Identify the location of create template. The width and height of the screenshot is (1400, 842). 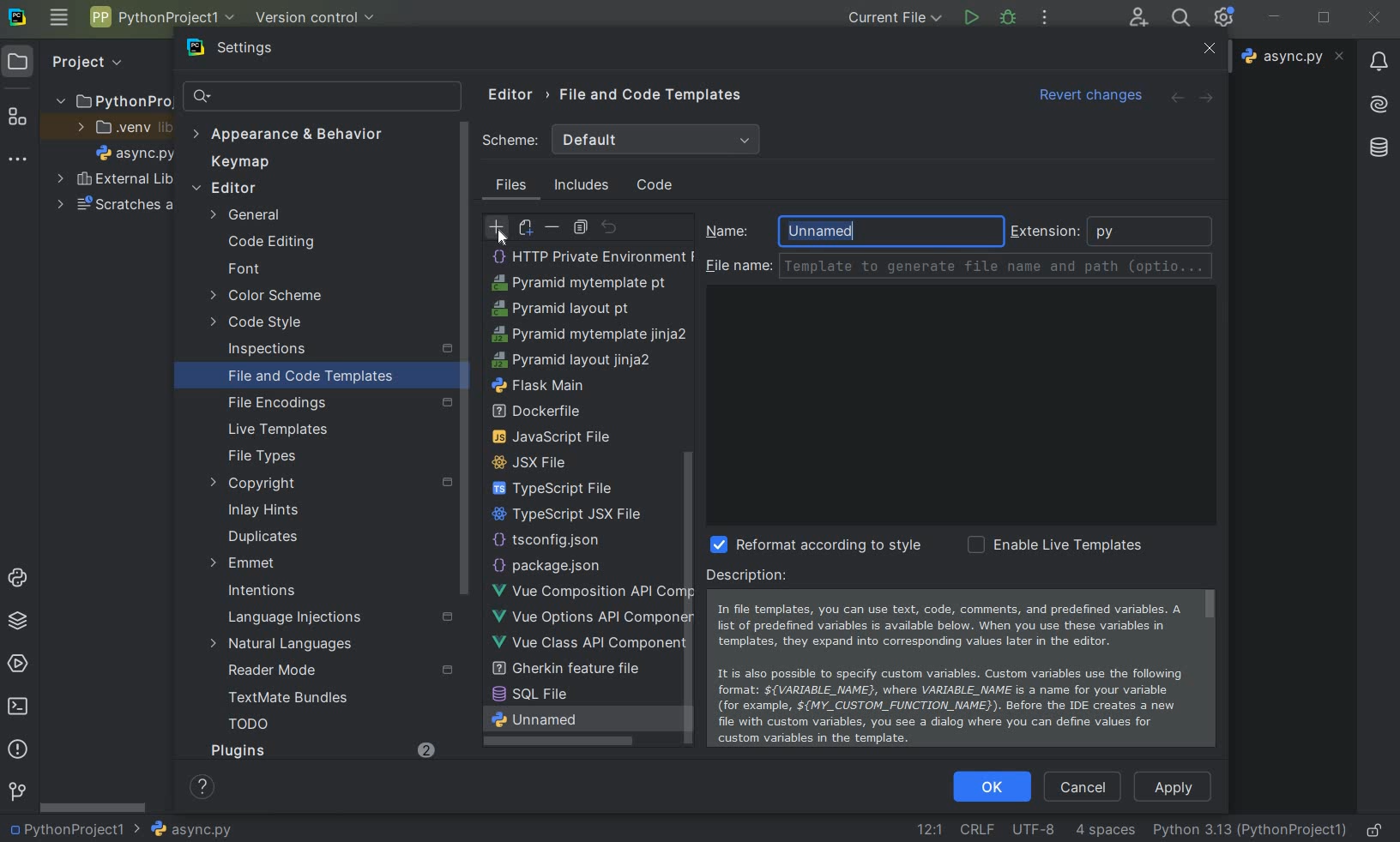
(497, 228).